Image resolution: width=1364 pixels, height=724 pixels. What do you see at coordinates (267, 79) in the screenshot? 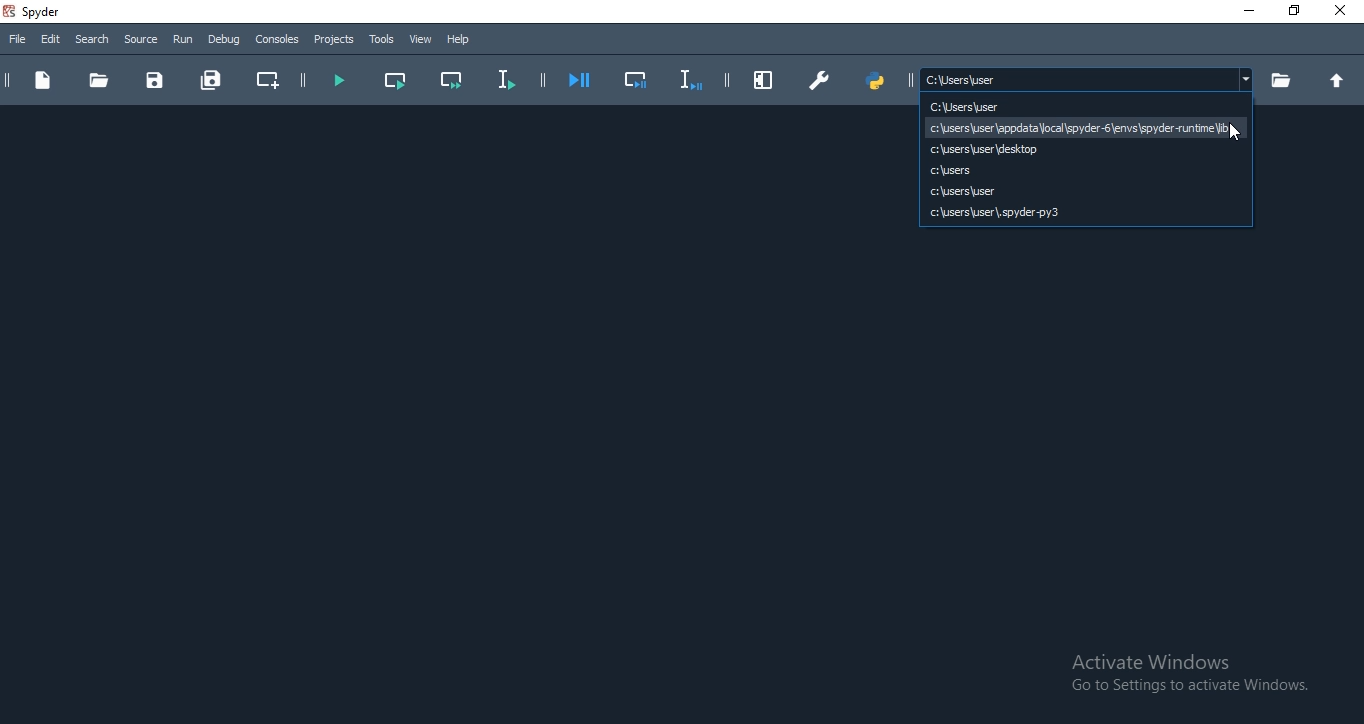
I see `create new cell` at bounding box center [267, 79].